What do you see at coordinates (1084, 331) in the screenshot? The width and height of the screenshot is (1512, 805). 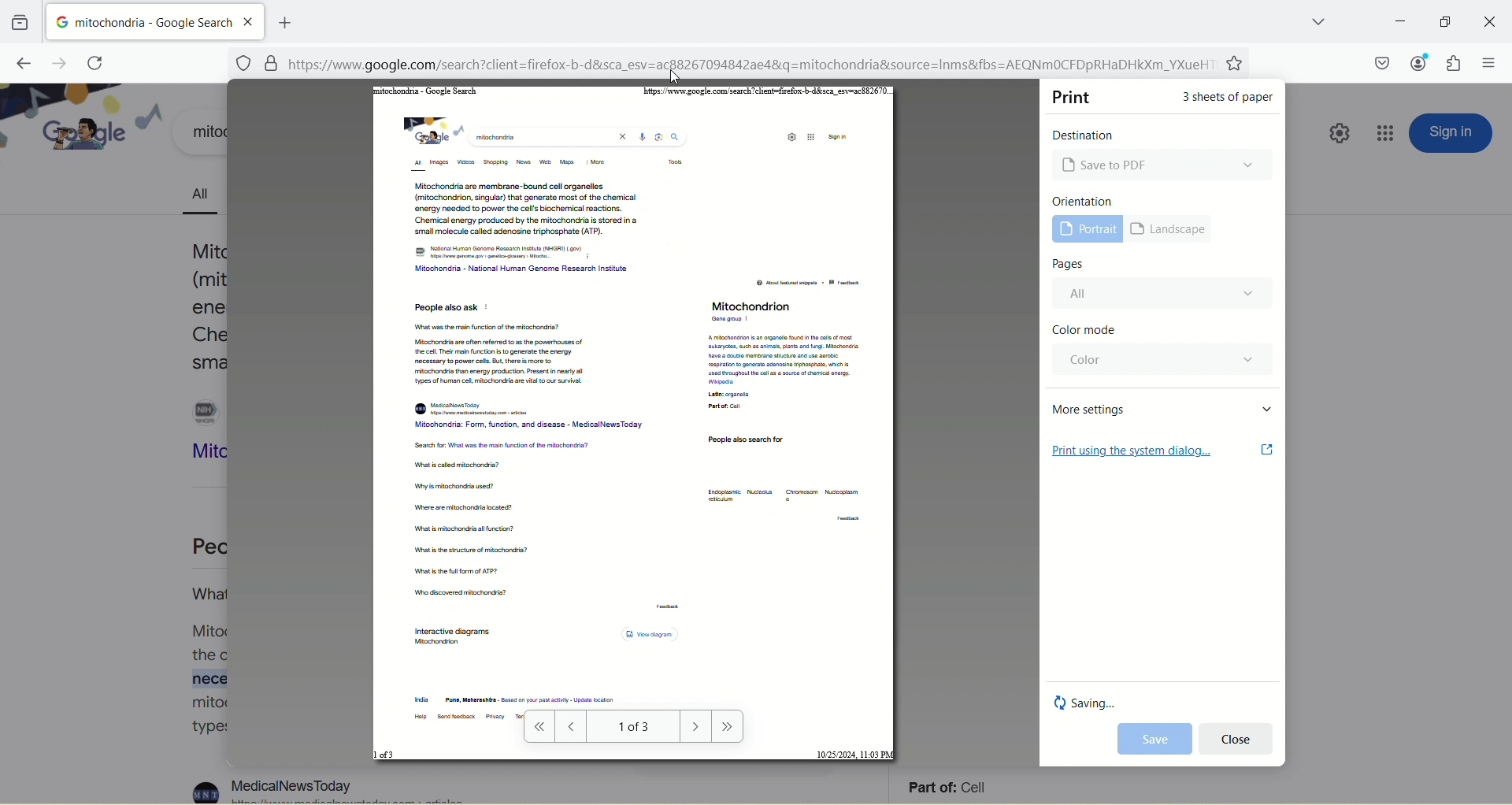 I see `color mode` at bounding box center [1084, 331].